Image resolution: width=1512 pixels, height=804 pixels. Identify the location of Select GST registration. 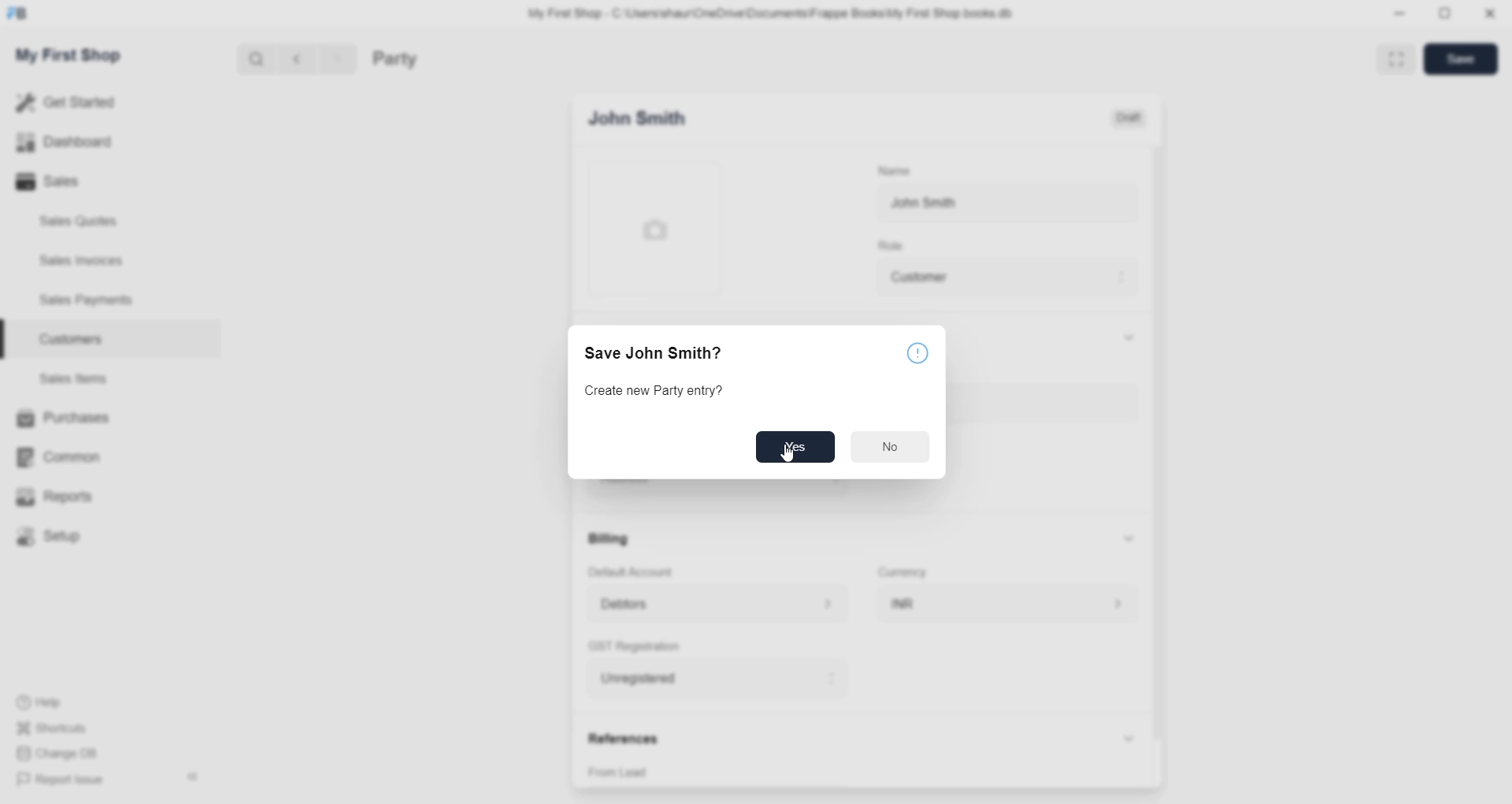
(693, 679).